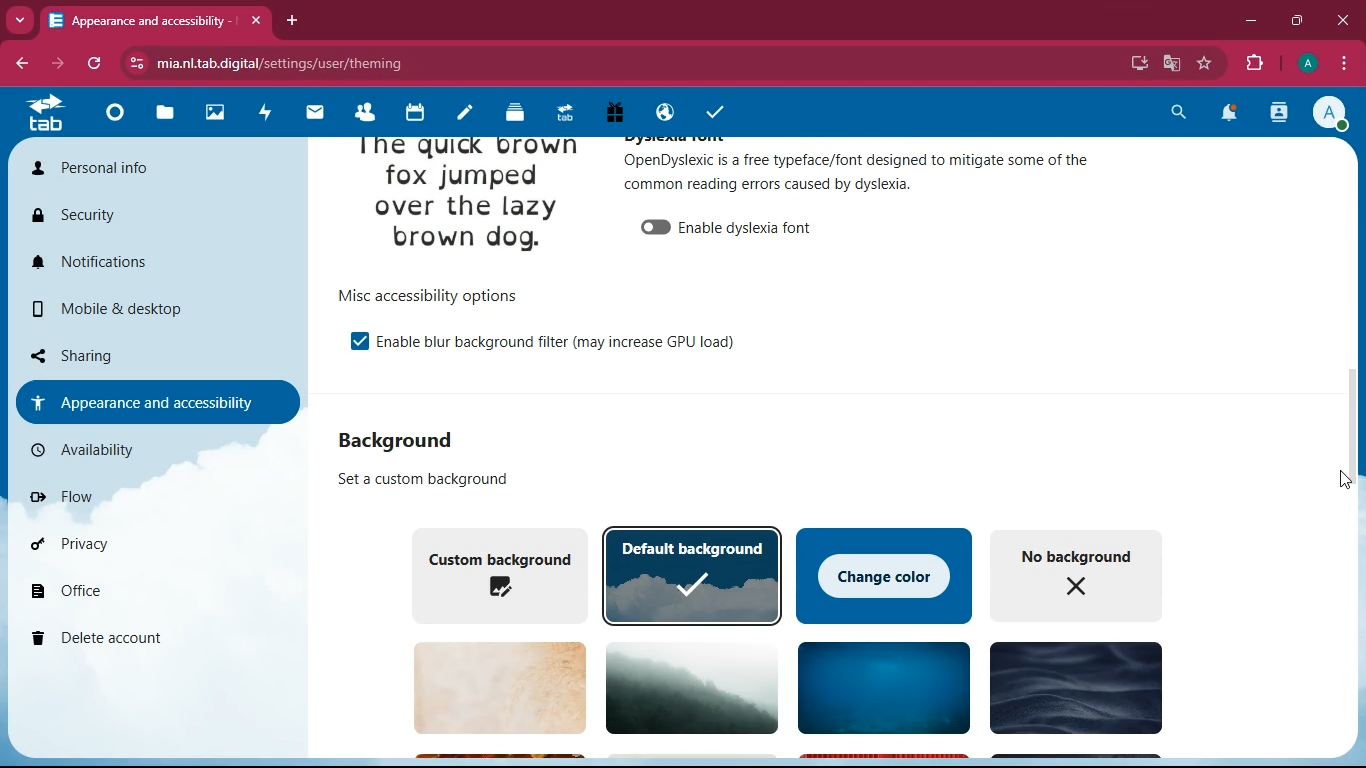  What do you see at coordinates (153, 173) in the screenshot?
I see `personal info` at bounding box center [153, 173].